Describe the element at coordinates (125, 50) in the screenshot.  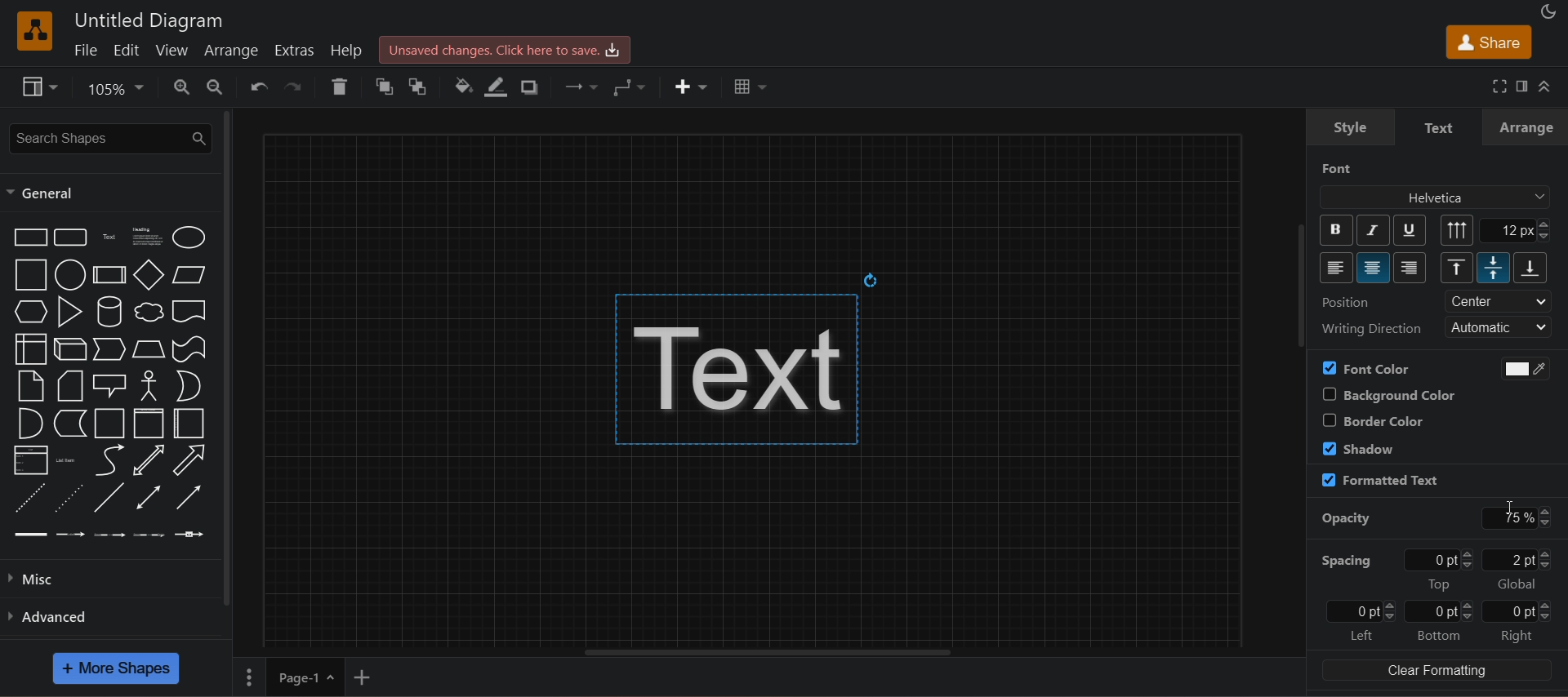
I see `edit` at that location.